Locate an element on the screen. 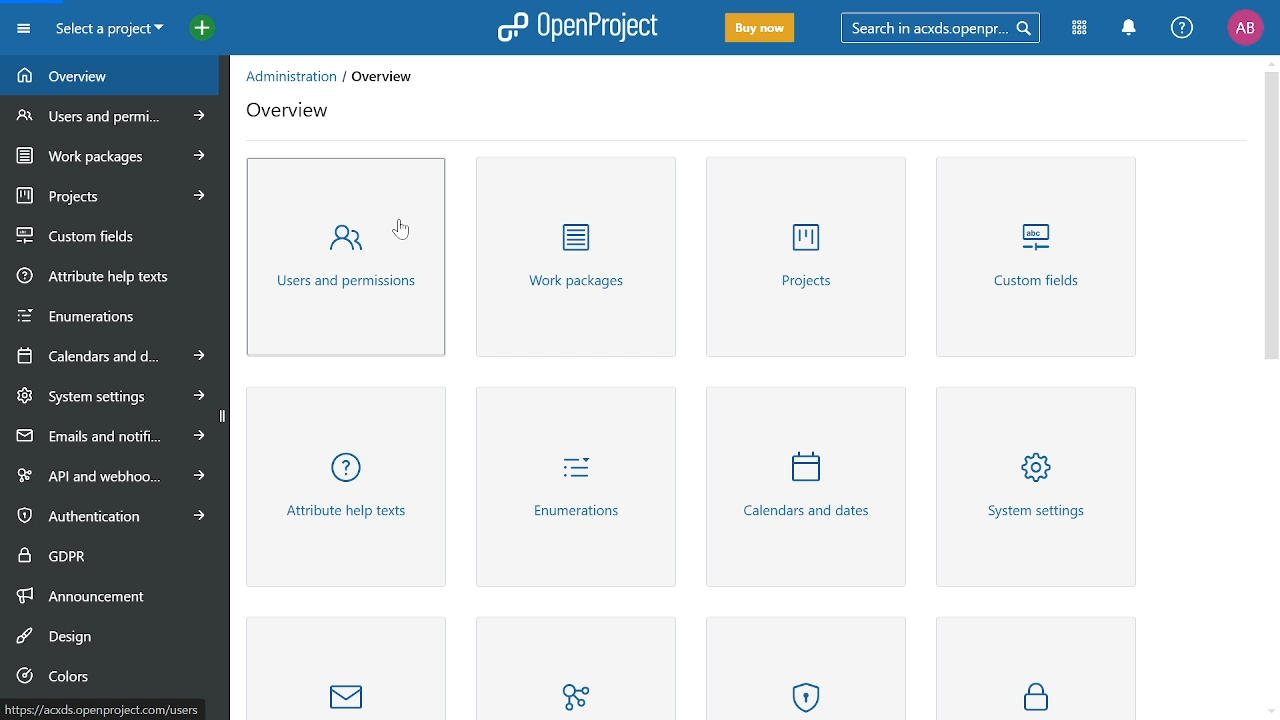 This screenshot has width=1280, height=720. Users and permissions is located at coordinates (113, 118).